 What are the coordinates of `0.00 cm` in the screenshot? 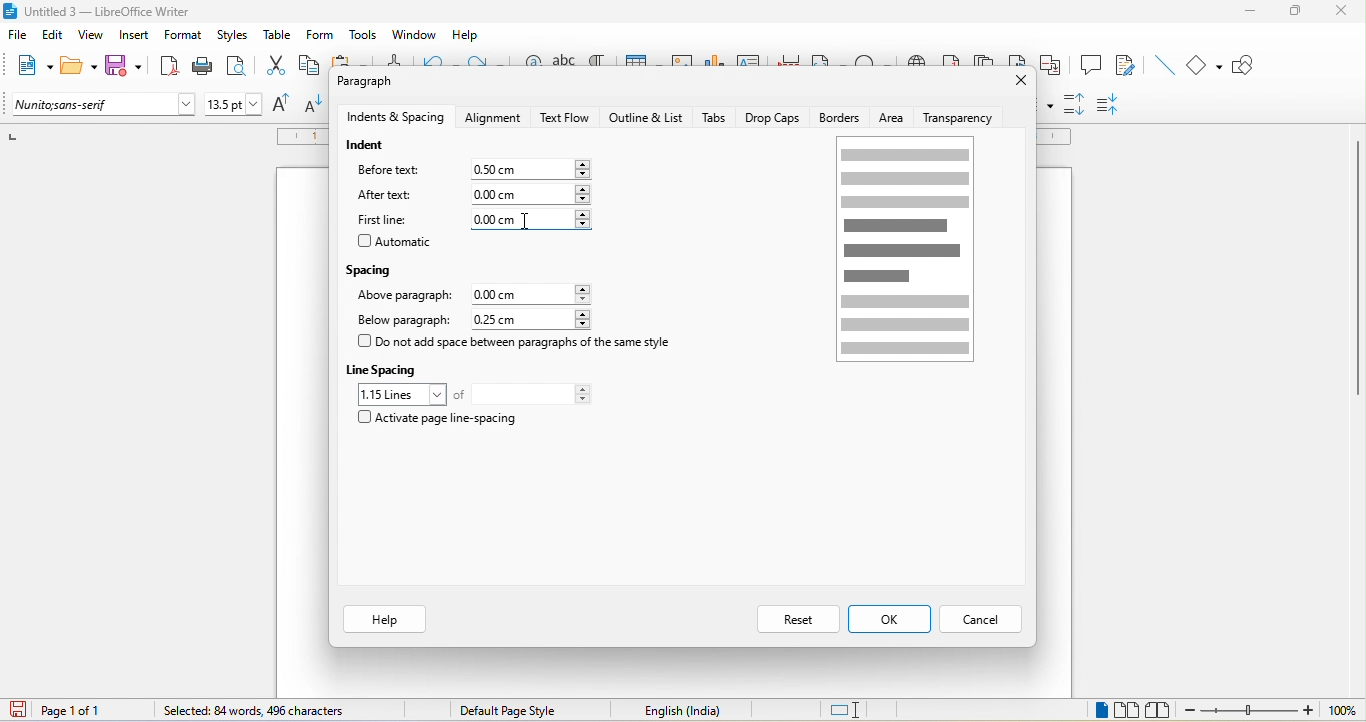 It's located at (516, 295).